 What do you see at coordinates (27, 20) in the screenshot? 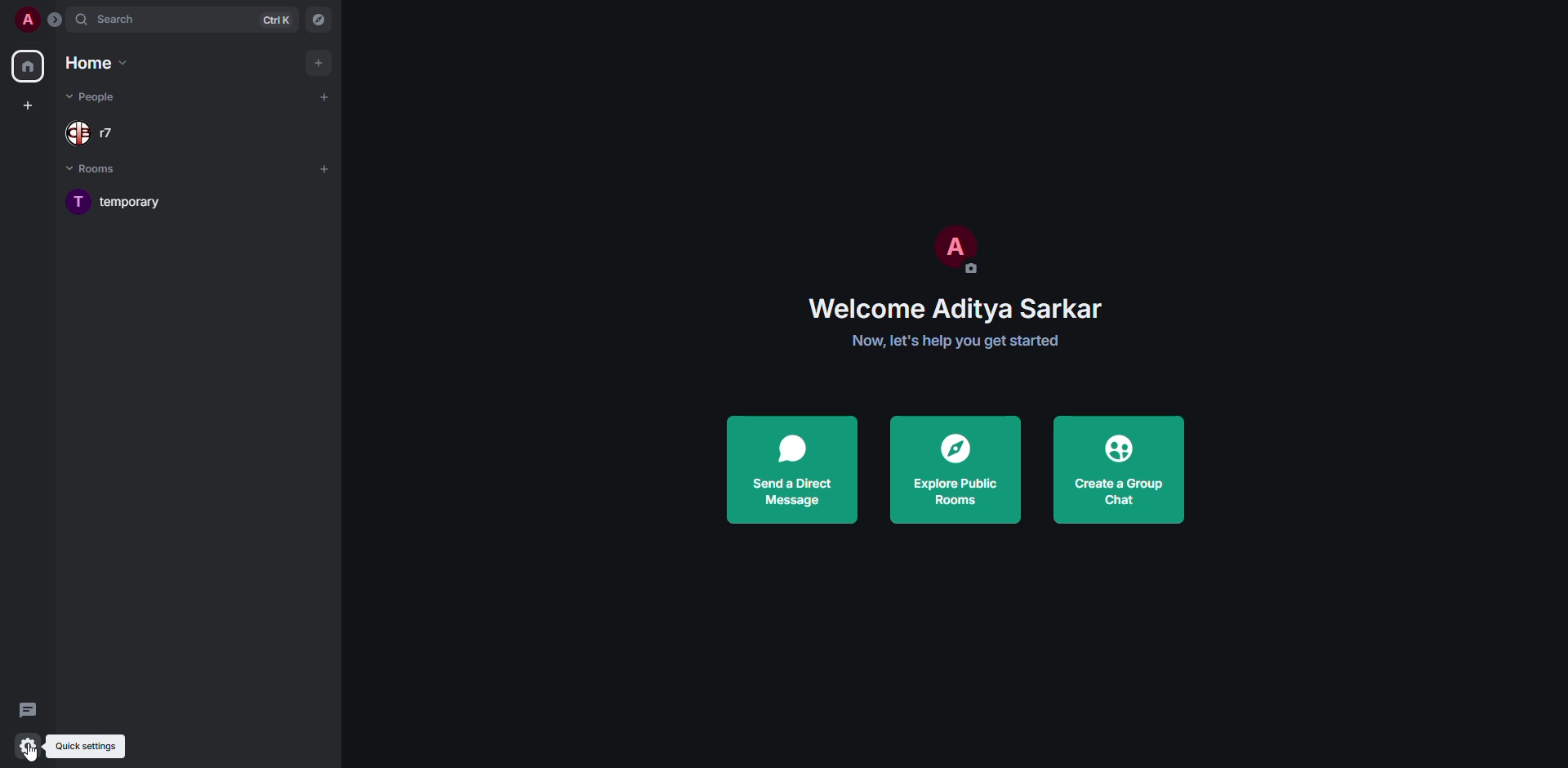
I see `profile` at bounding box center [27, 20].